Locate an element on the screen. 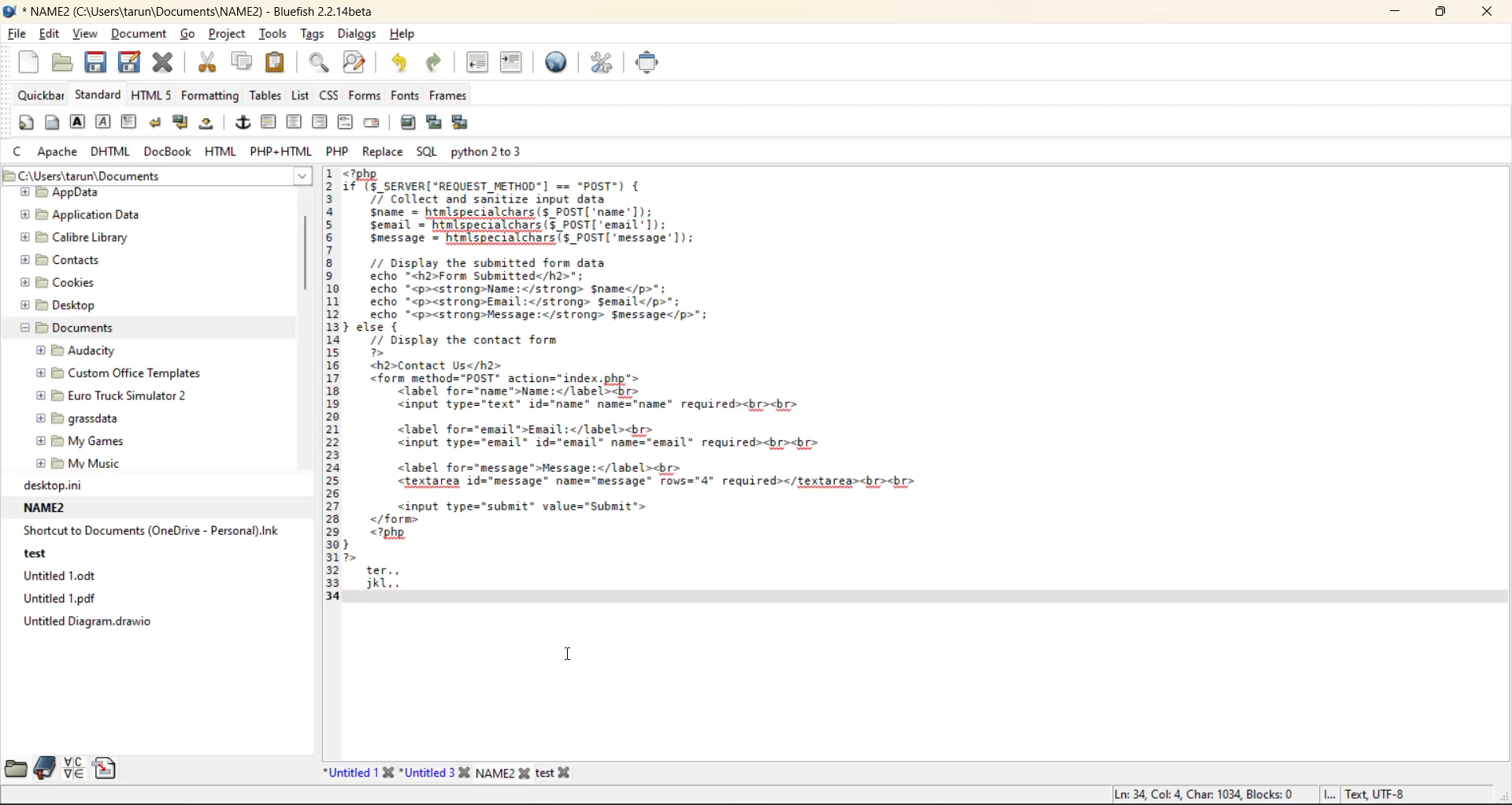 The image size is (1512, 805). My Games is located at coordinates (76, 441).